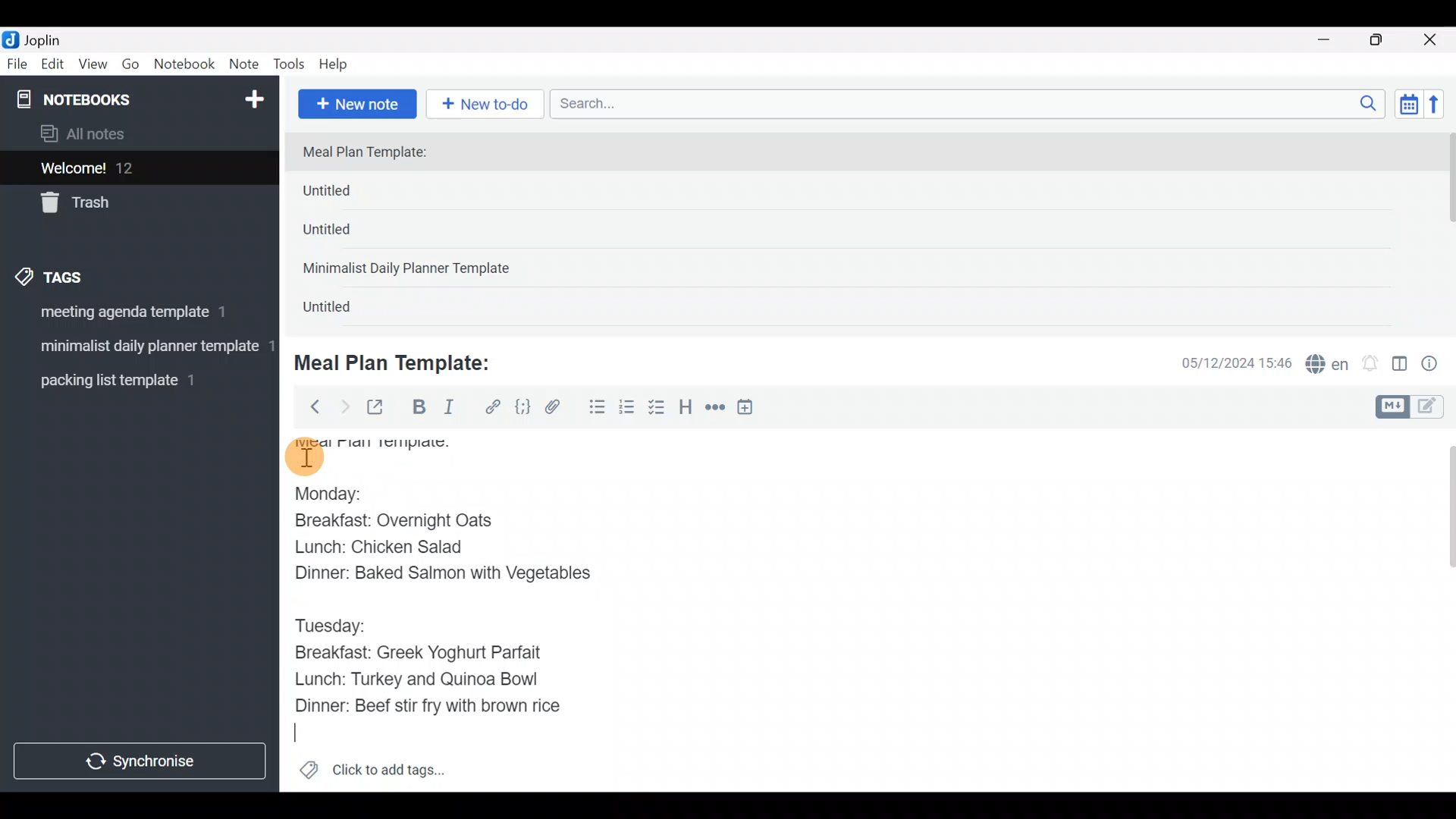 The image size is (1456, 819). Describe the element at coordinates (1414, 405) in the screenshot. I see `Toggle editors` at that location.